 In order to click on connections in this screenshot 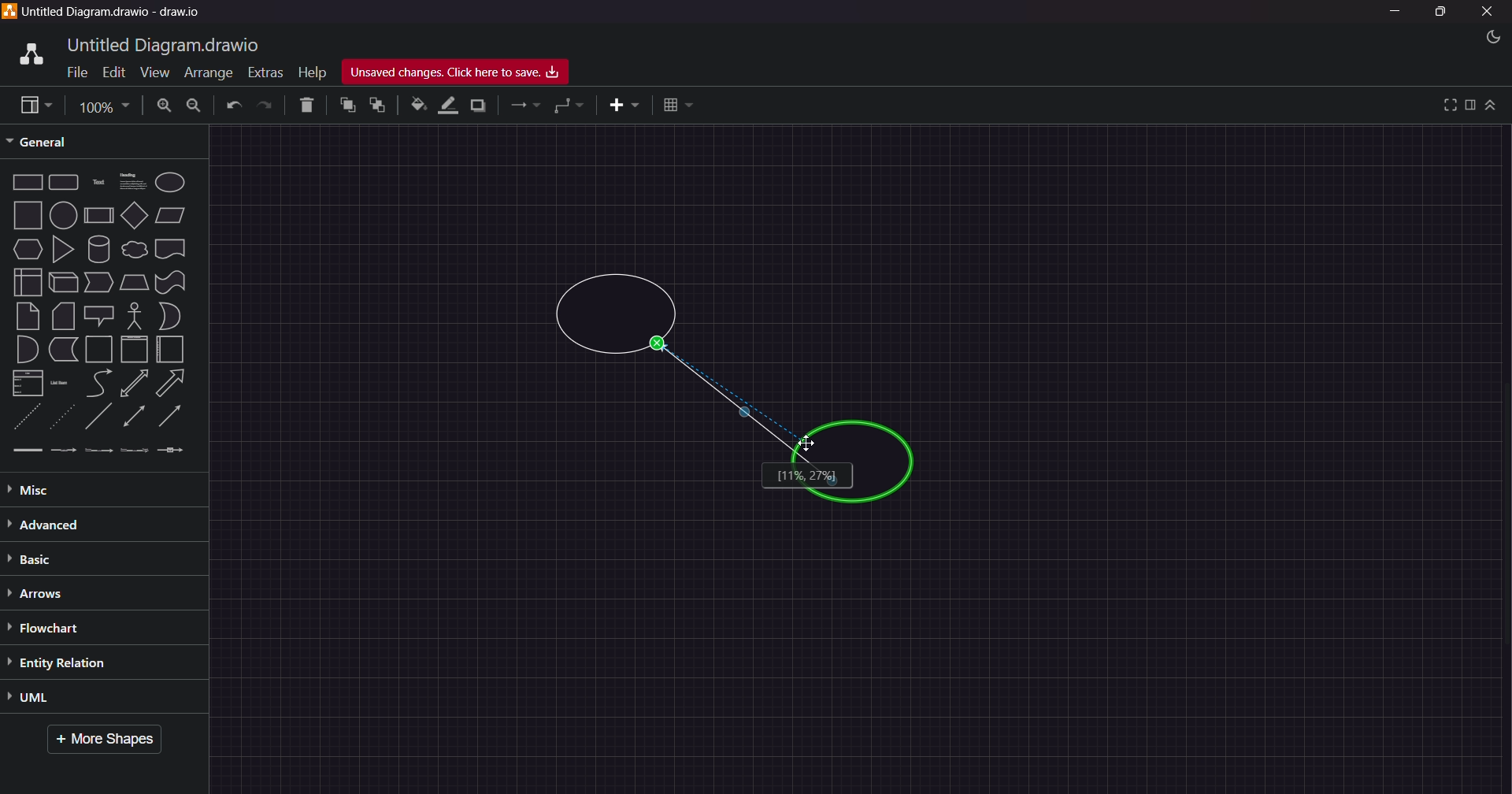, I will do `click(524, 106)`.